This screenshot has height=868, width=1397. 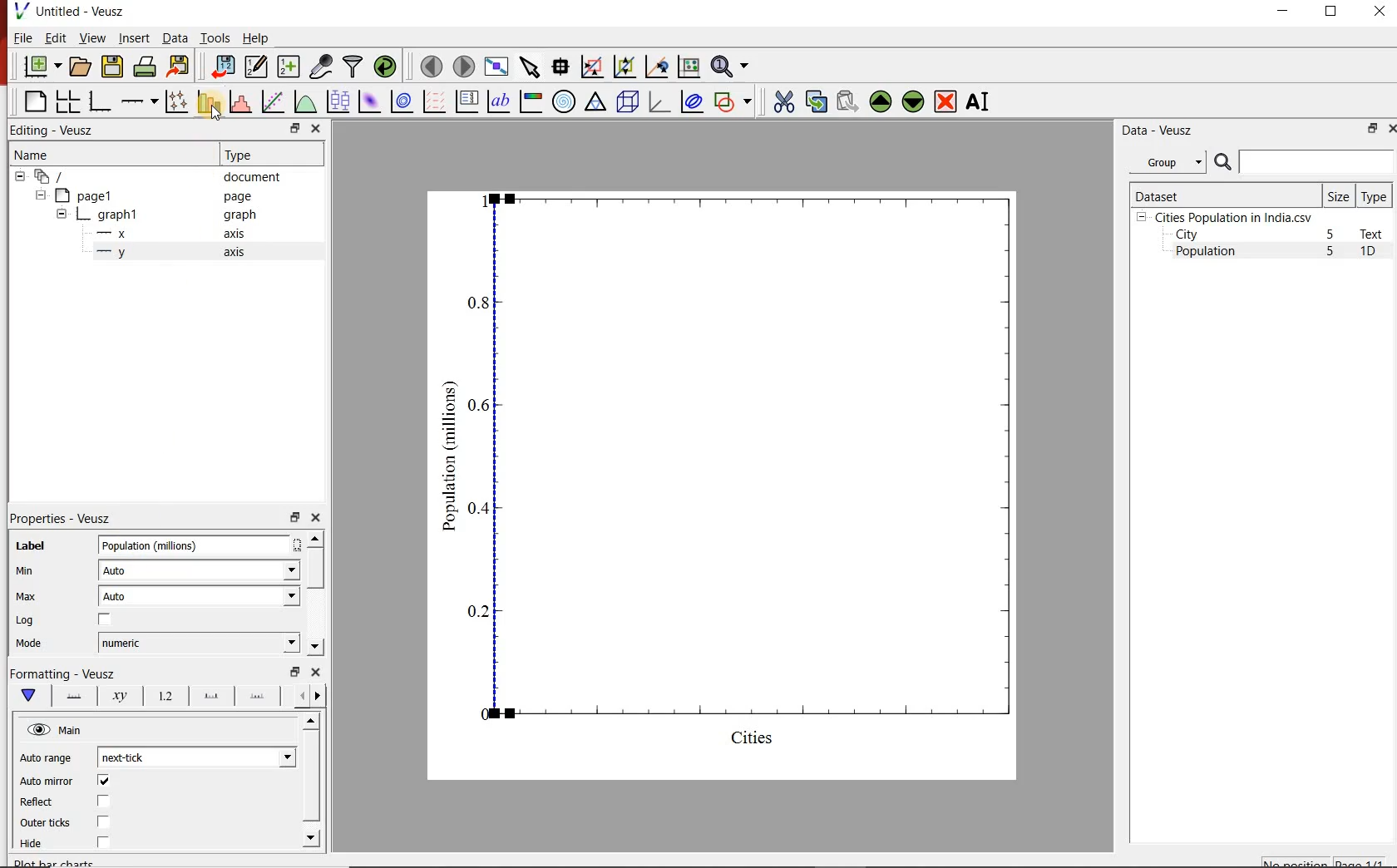 What do you see at coordinates (496, 67) in the screenshot?
I see `view plot full screen` at bounding box center [496, 67].